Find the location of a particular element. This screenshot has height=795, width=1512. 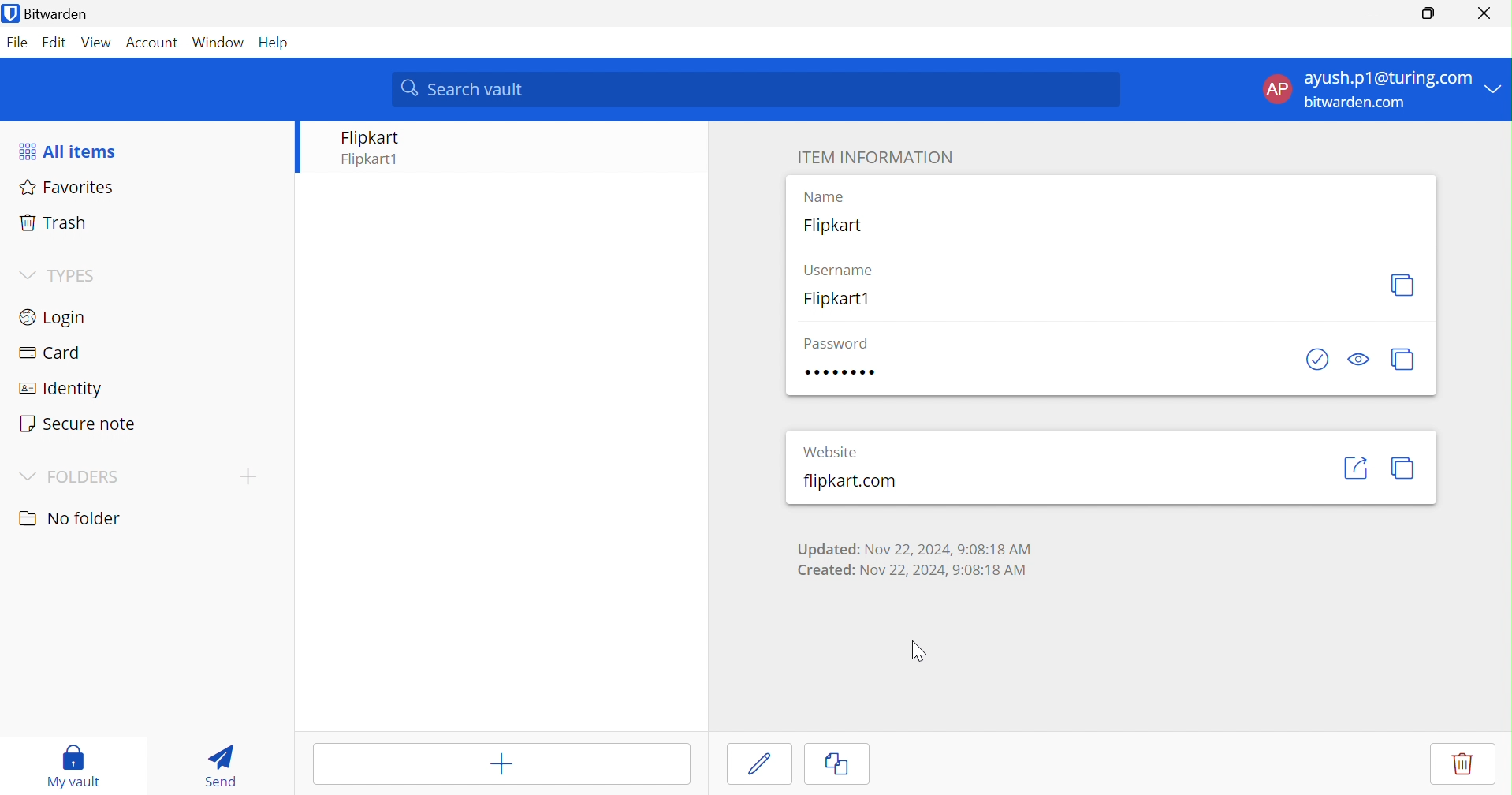

Username is located at coordinates (837, 269).